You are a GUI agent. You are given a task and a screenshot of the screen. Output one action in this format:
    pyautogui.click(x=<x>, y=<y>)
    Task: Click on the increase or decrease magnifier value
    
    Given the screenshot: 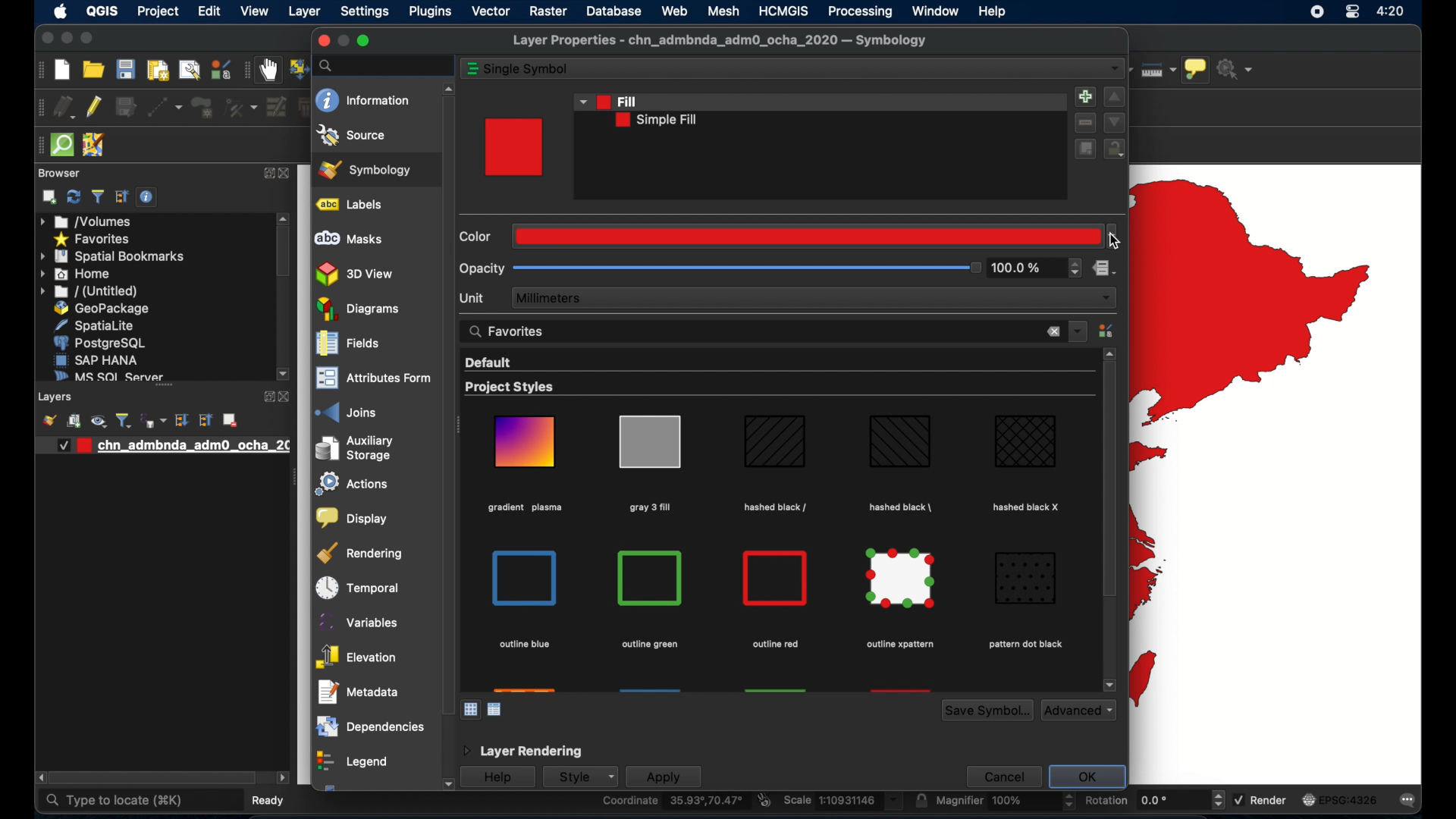 What is the action you would take?
    pyautogui.click(x=1069, y=802)
    